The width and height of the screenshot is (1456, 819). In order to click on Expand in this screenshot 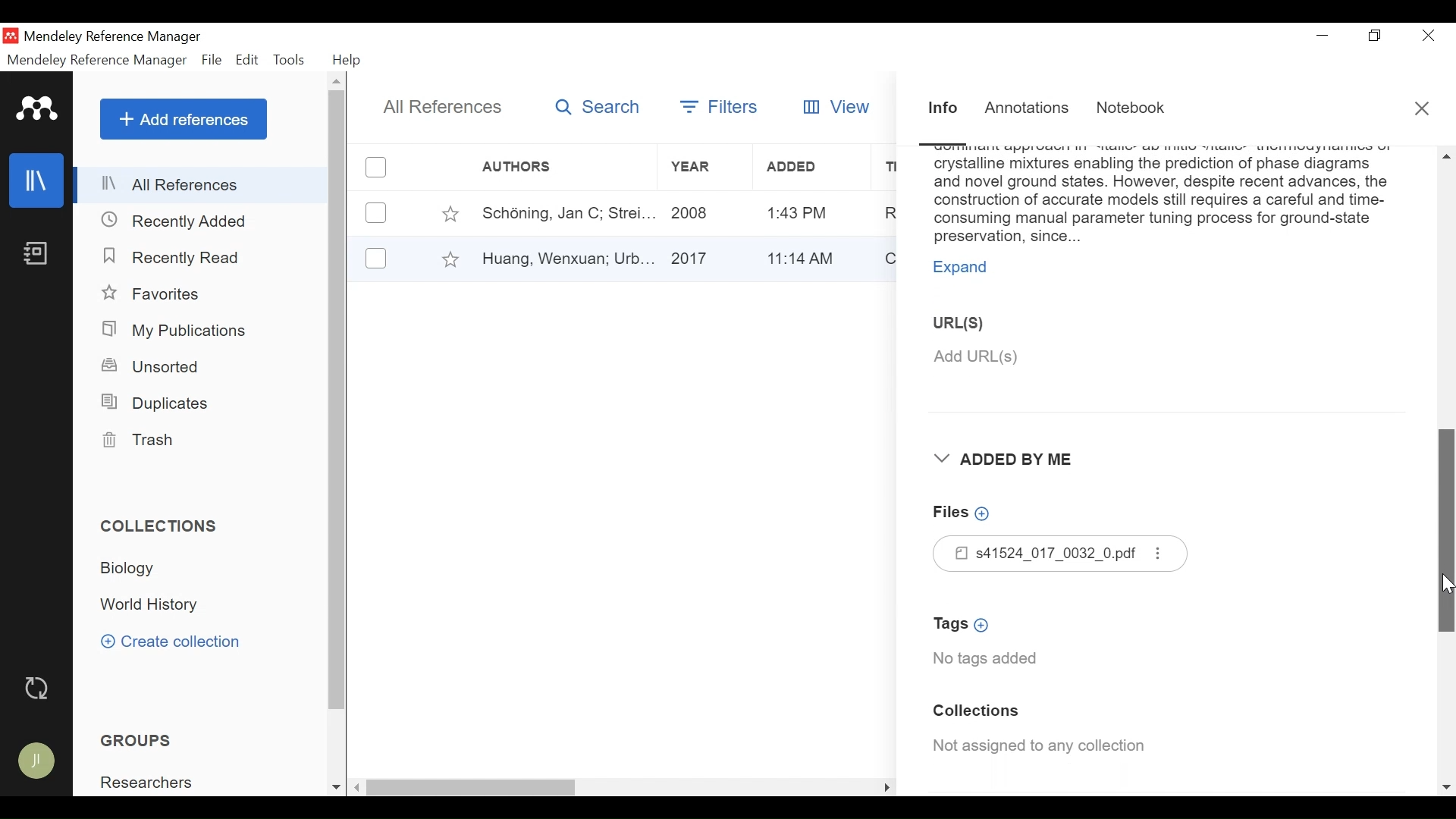, I will do `click(966, 269)`.